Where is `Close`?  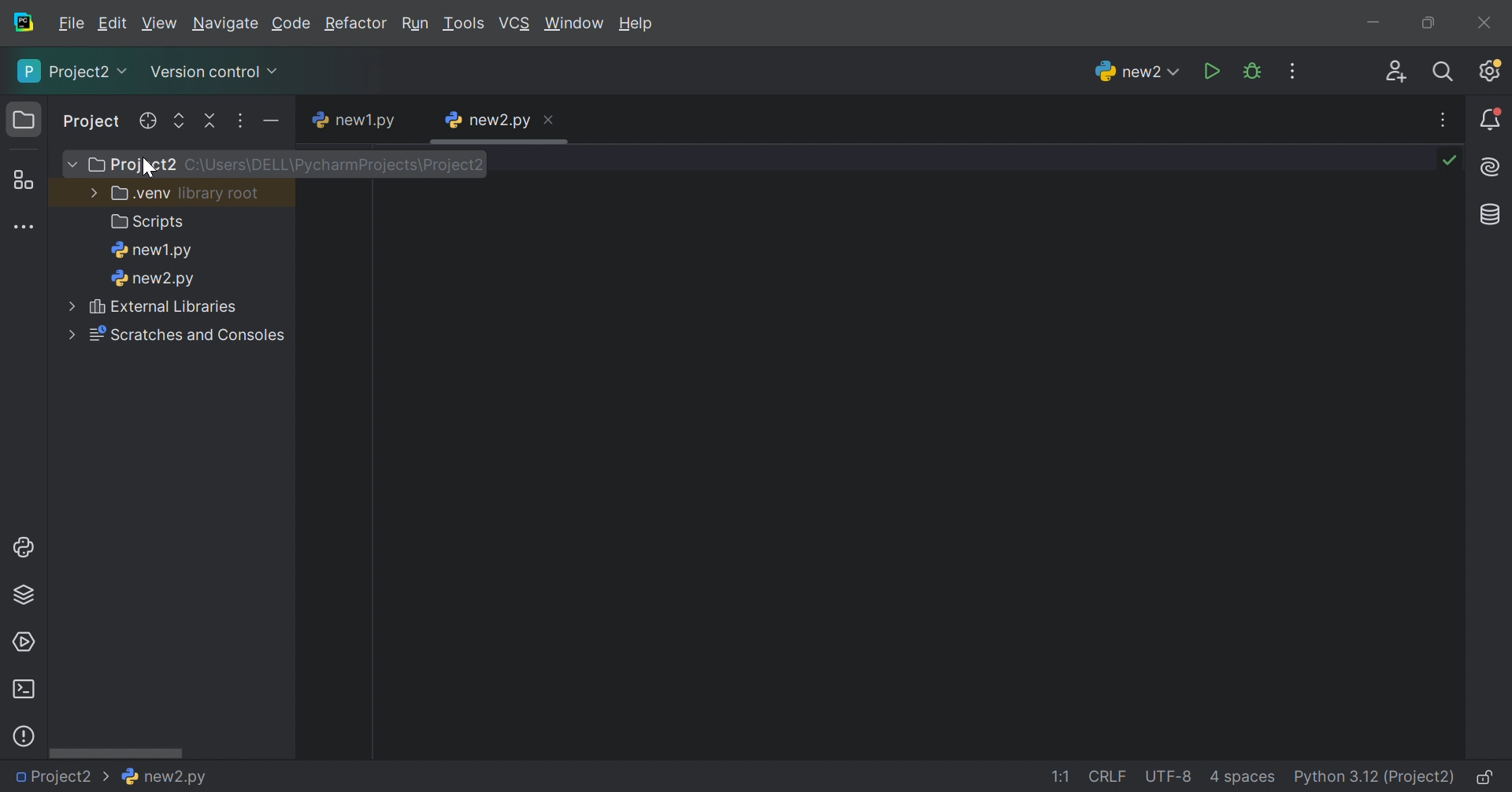 Close is located at coordinates (1488, 19).